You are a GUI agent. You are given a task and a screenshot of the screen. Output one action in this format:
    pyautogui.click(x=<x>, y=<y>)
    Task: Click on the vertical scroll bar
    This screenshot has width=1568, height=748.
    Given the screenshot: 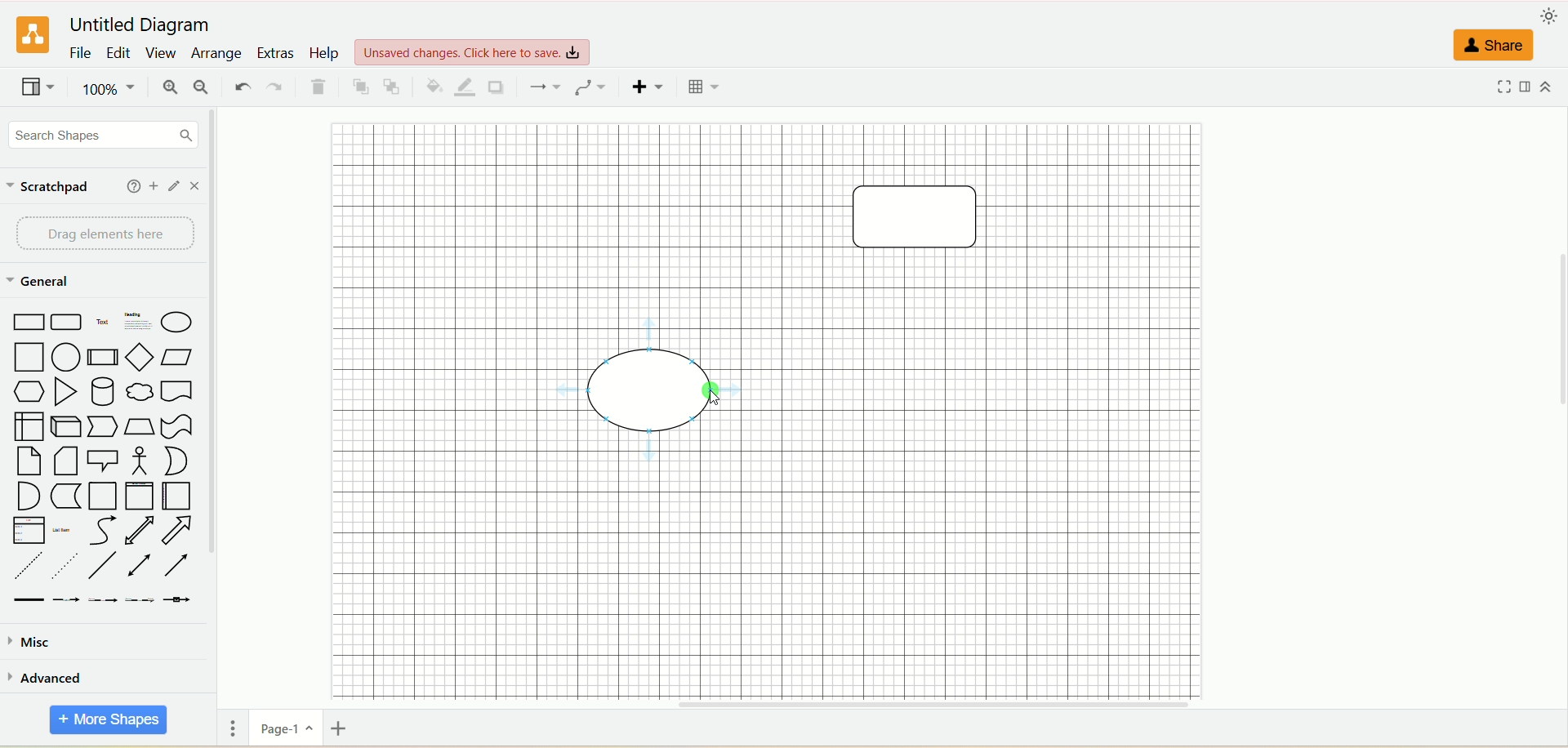 What is the action you would take?
    pyautogui.click(x=218, y=400)
    